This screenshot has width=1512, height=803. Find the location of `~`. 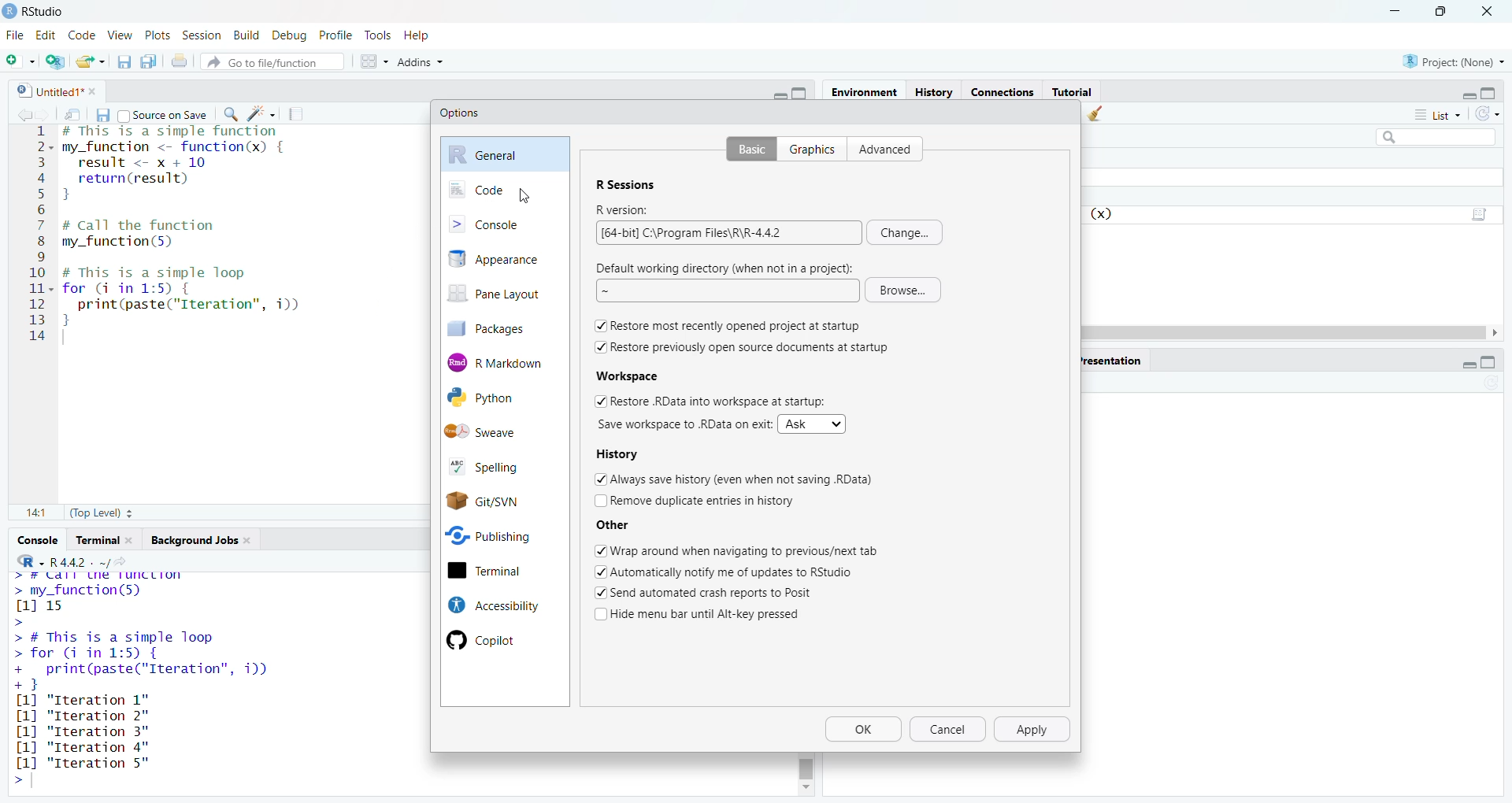

~ is located at coordinates (728, 290).